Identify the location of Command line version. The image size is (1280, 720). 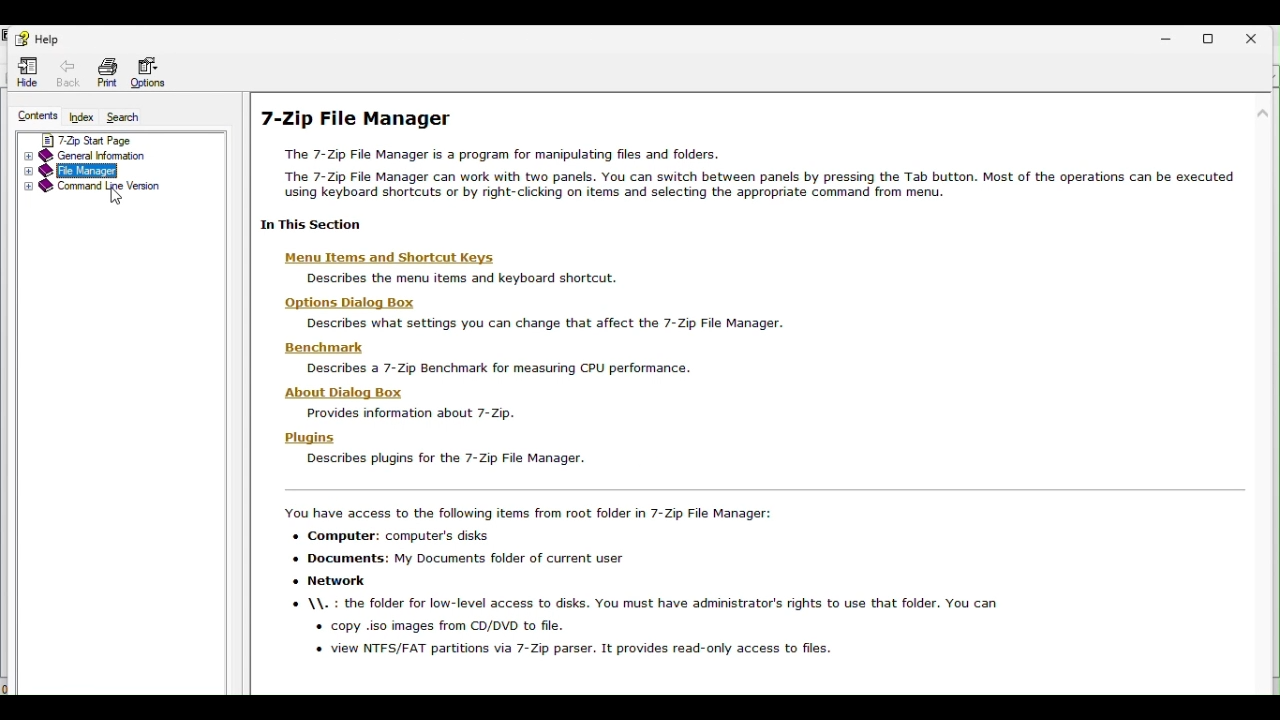
(91, 189).